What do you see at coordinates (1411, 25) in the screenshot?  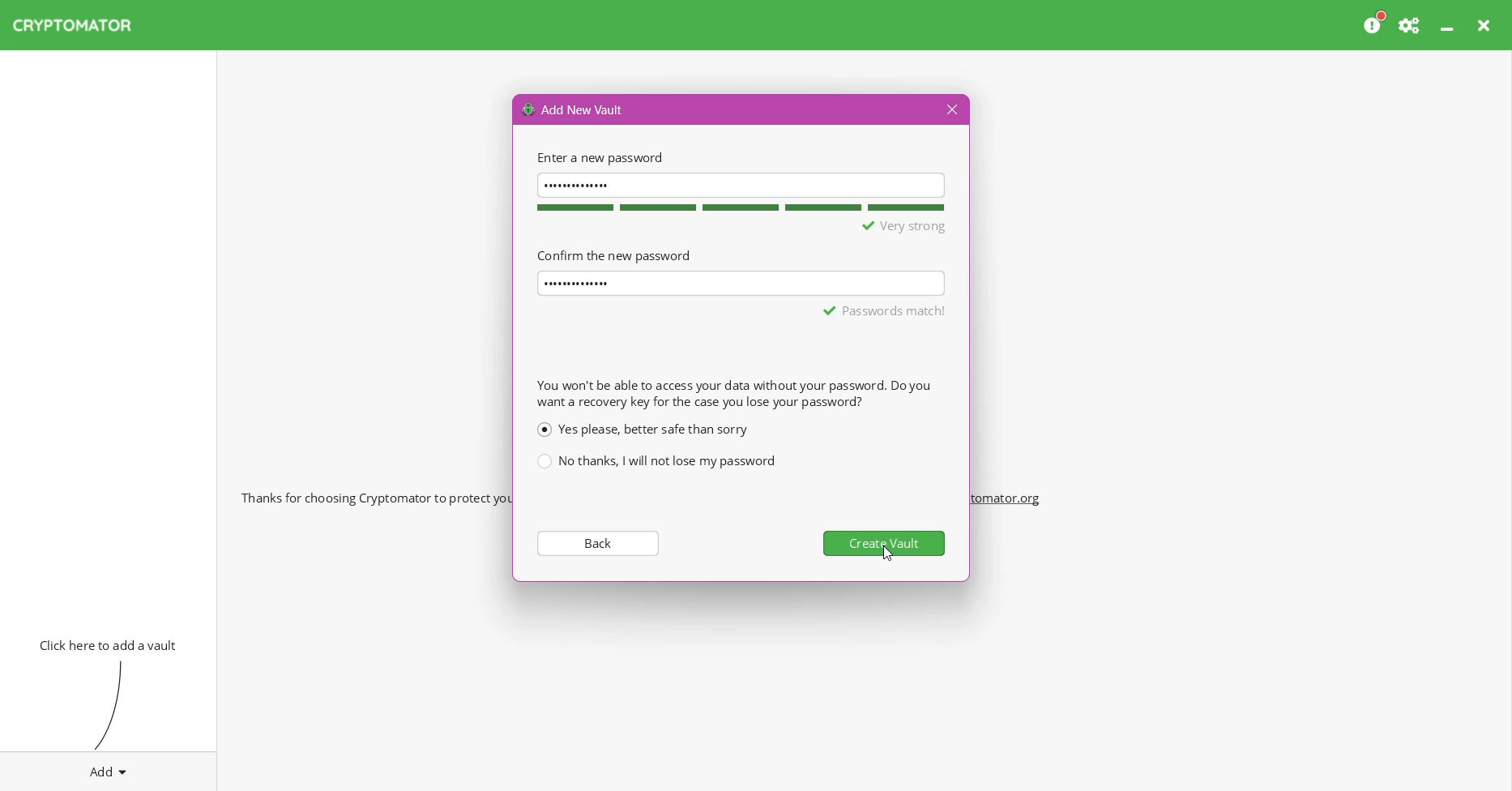 I see `Preferences` at bounding box center [1411, 25].